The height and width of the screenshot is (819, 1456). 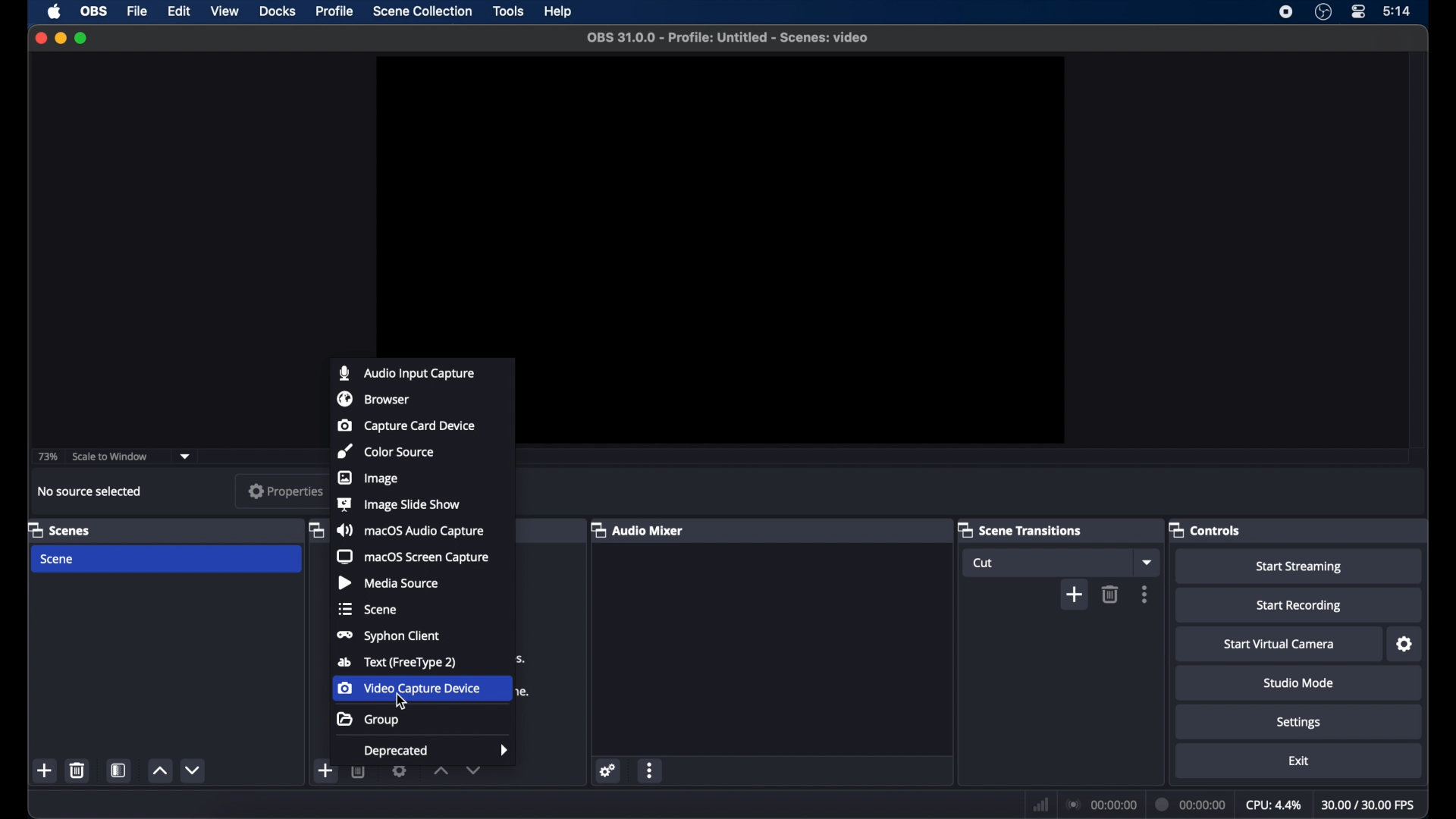 I want to click on color source, so click(x=385, y=452).